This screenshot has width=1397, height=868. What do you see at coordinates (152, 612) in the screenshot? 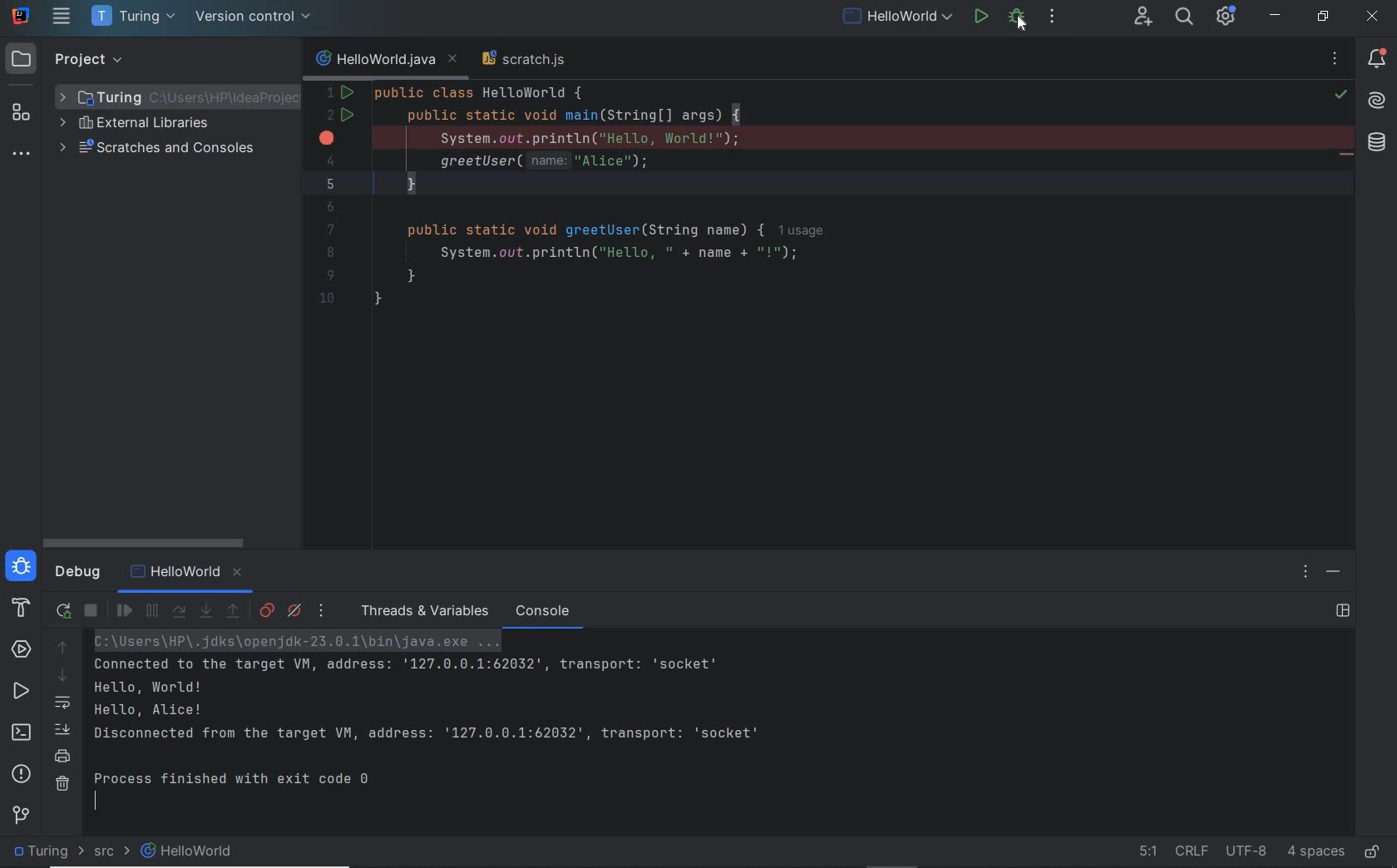
I see `pause program` at bounding box center [152, 612].